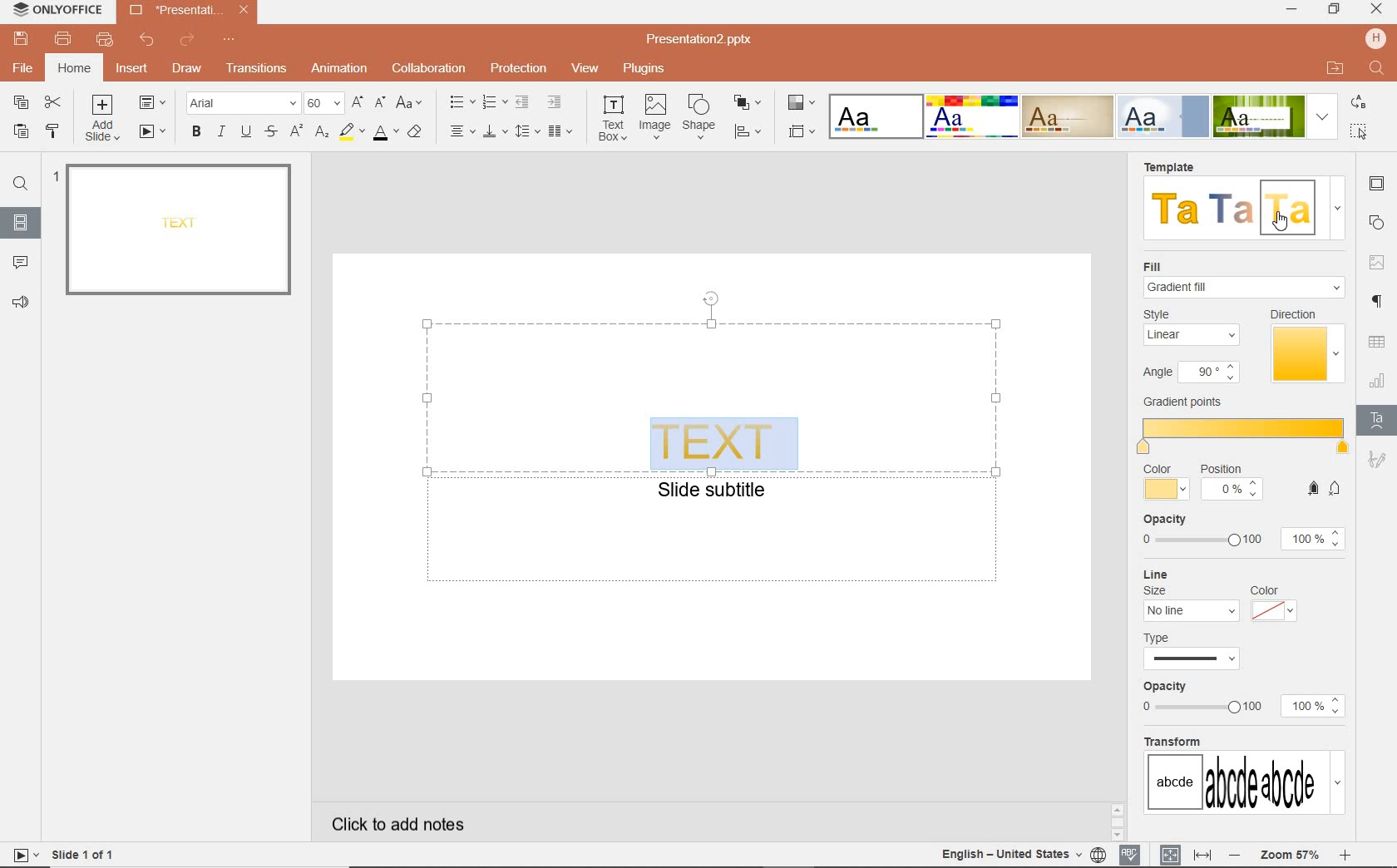 This screenshot has height=868, width=1397. What do you see at coordinates (21, 184) in the screenshot?
I see `FIND` at bounding box center [21, 184].